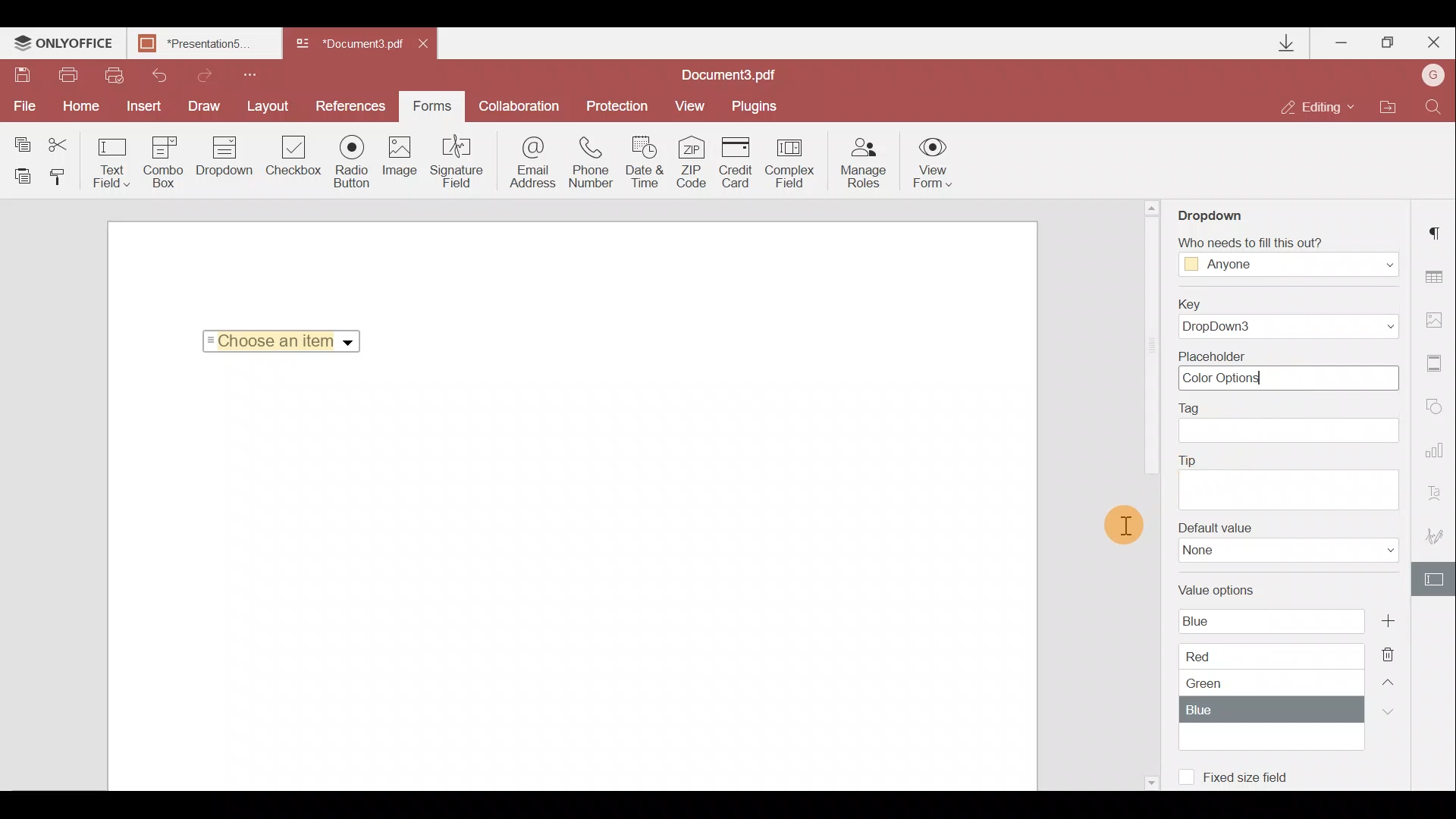 Image resolution: width=1456 pixels, height=819 pixels. Describe the element at coordinates (1153, 207) in the screenshot. I see `Scroll up` at that location.